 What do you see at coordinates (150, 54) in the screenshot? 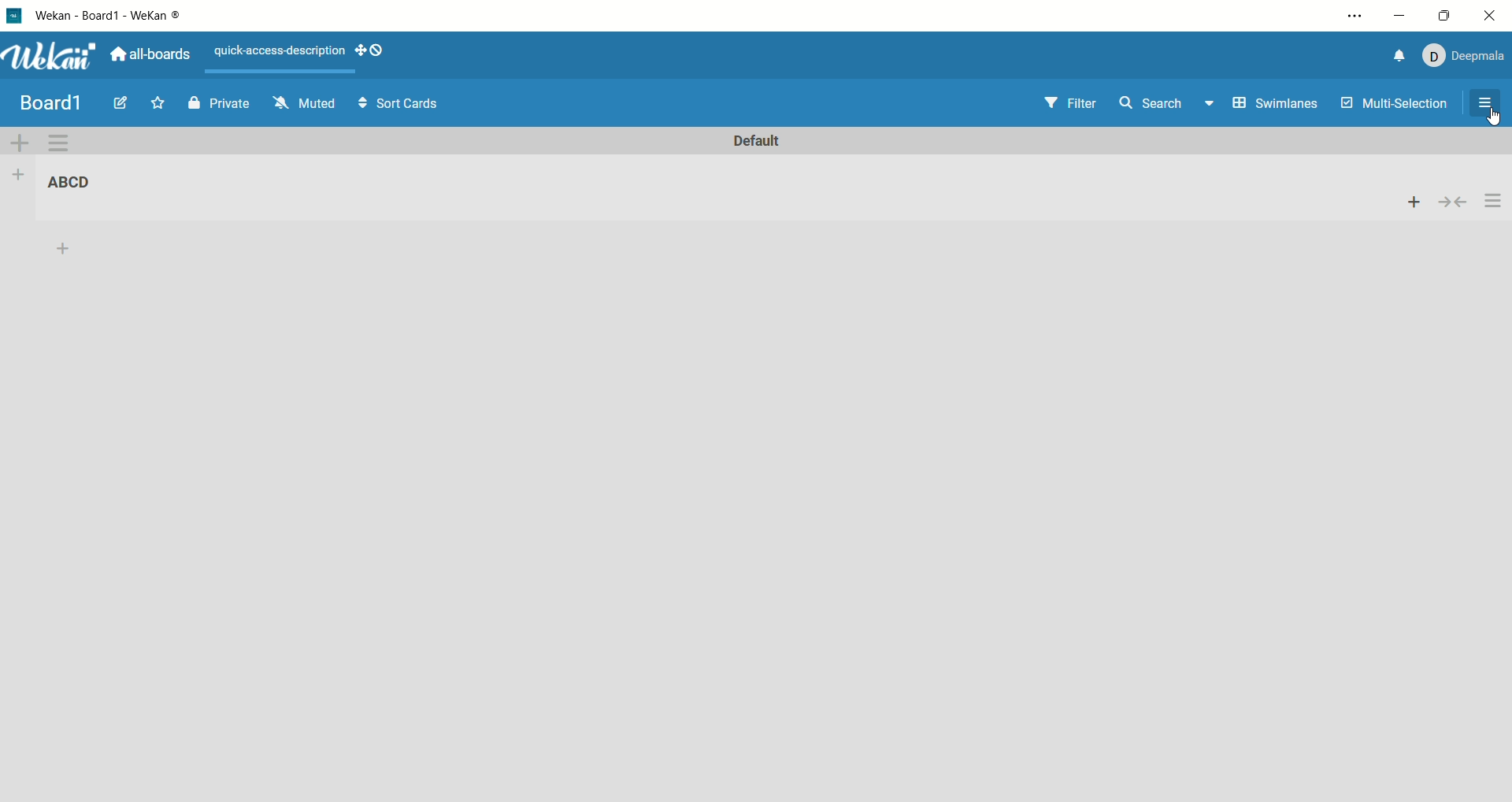
I see `all boards` at bounding box center [150, 54].